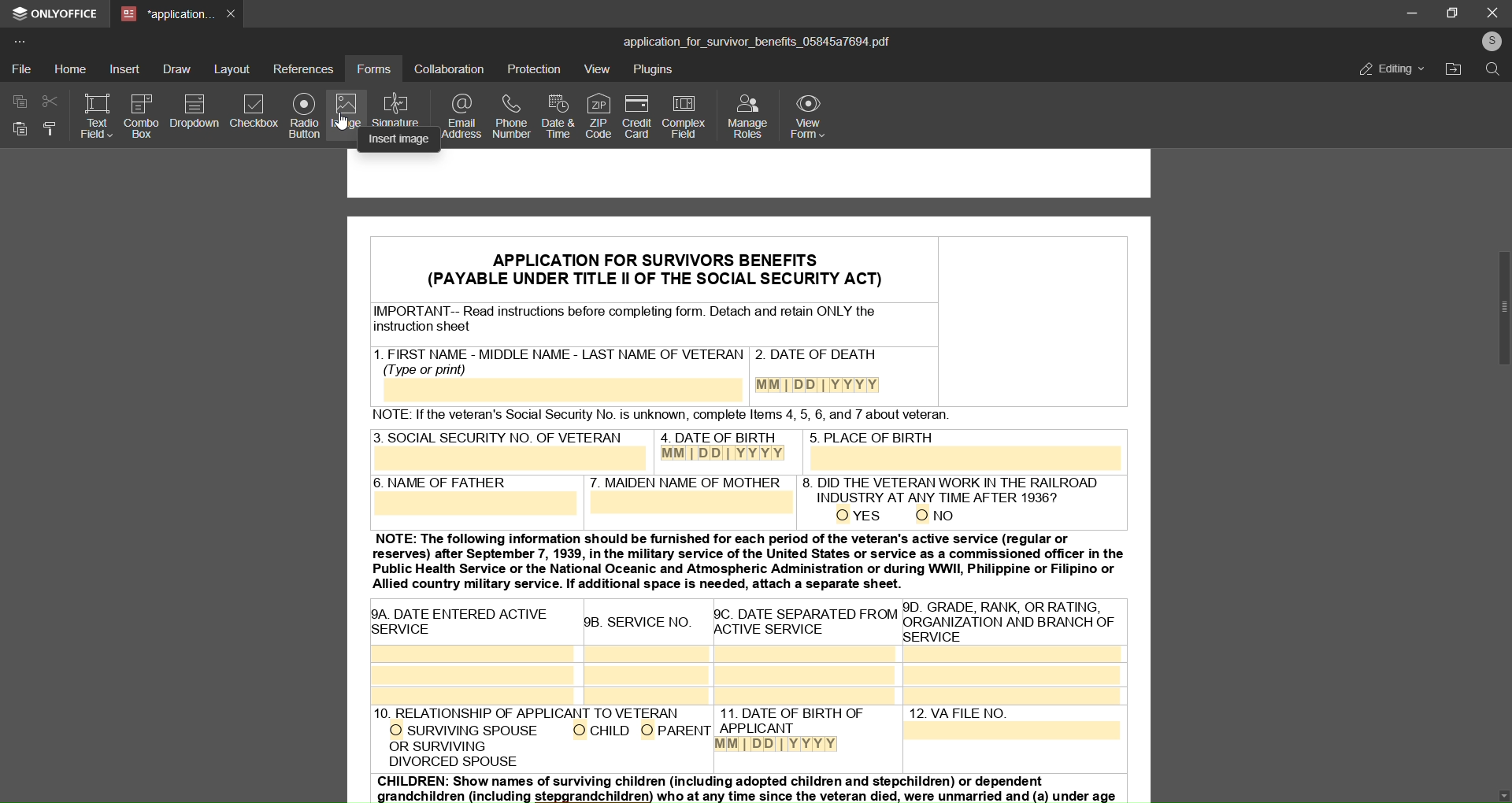 The image size is (1512, 803). Describe the element at coordinates (756, 40) in the screenshot. I see `title` at that location.